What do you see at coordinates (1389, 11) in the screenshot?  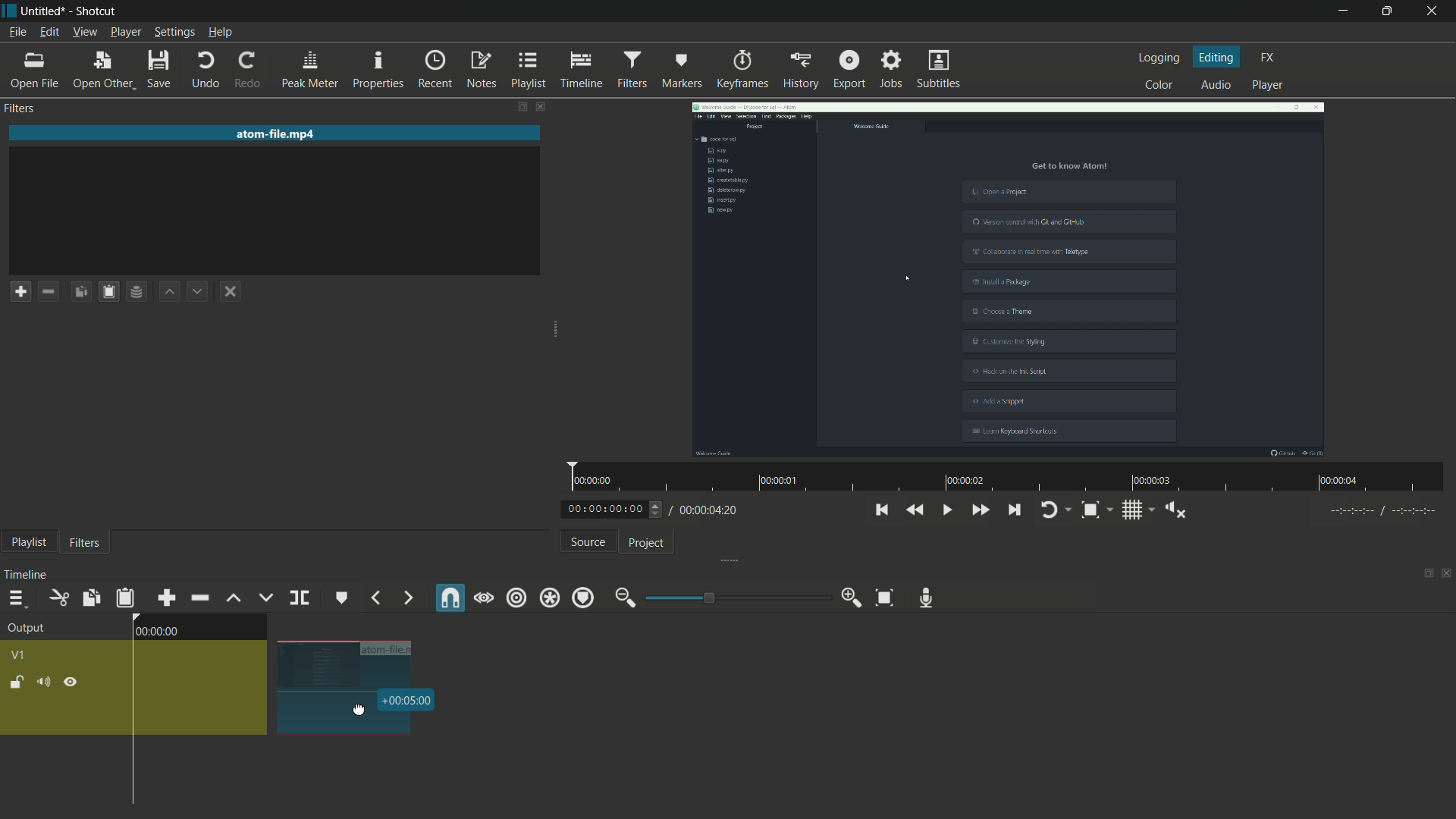 I see `maximize` at bounding box center [1389, 11].